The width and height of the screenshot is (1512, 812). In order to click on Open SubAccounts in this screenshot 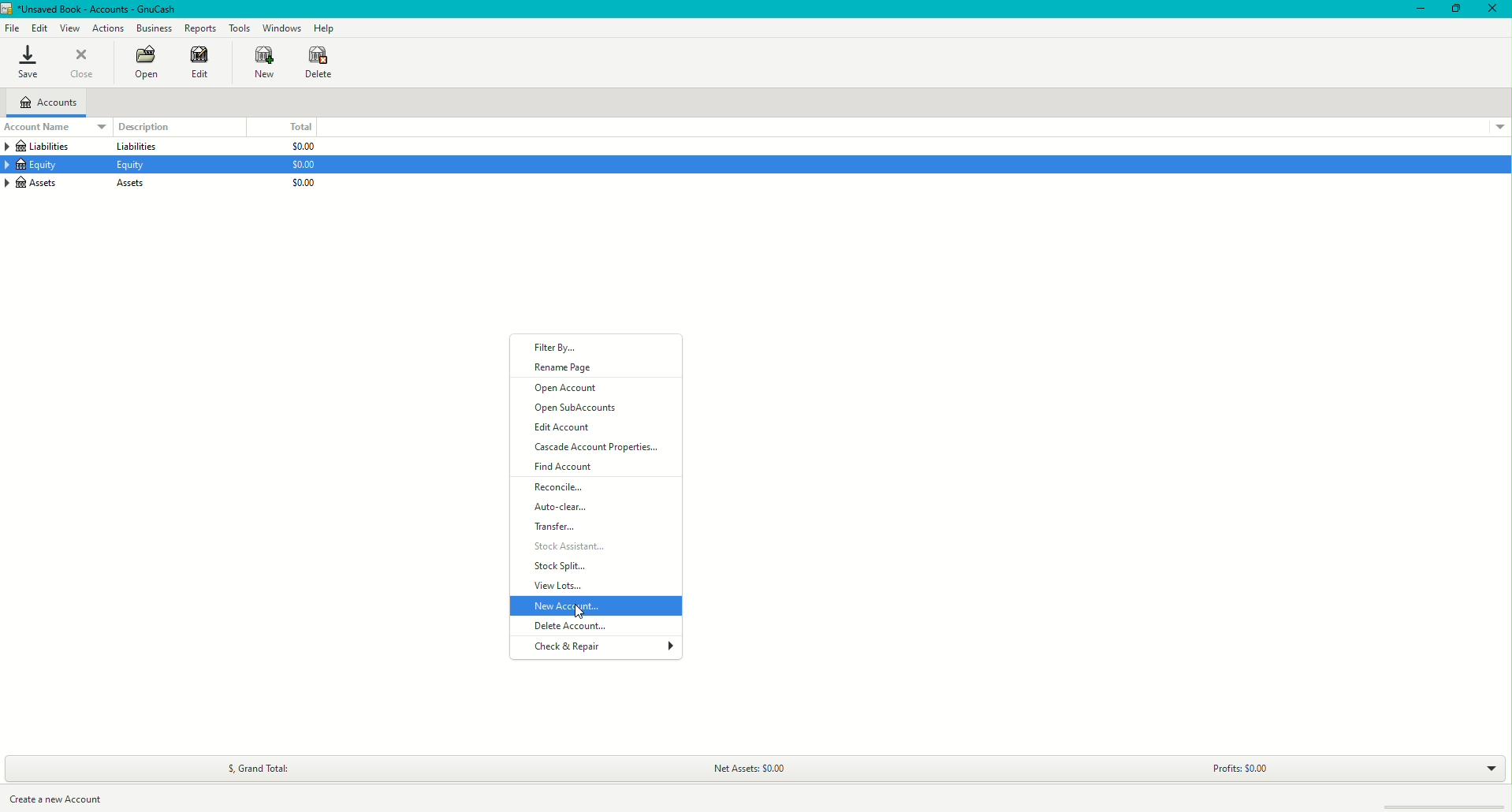, I will do `click(575, 408)`.